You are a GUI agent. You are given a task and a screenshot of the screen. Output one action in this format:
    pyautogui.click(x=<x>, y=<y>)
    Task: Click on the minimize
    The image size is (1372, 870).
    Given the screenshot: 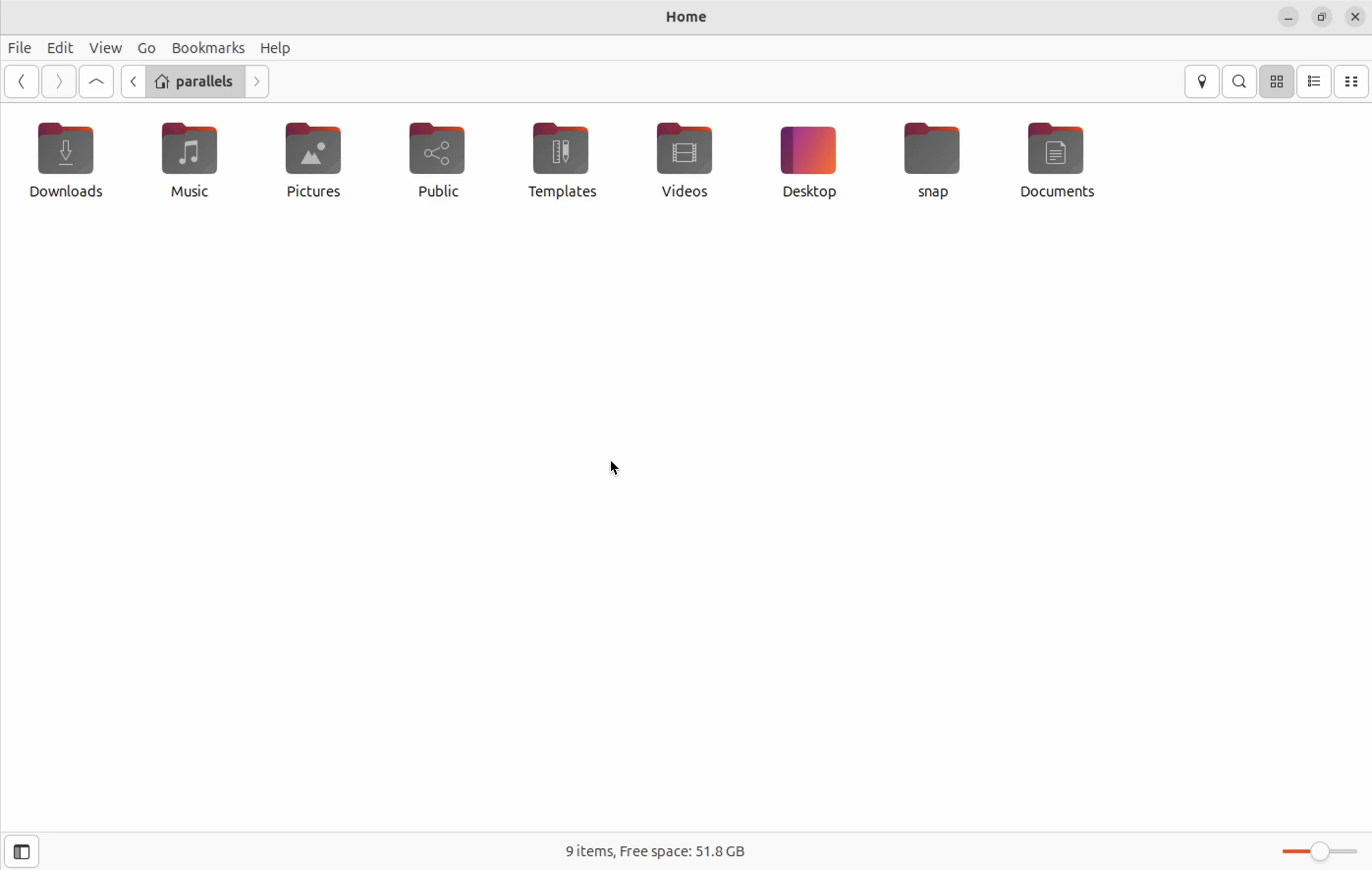 What is the action you would take?
    pyautogui.click(x=1288, y=18)
    